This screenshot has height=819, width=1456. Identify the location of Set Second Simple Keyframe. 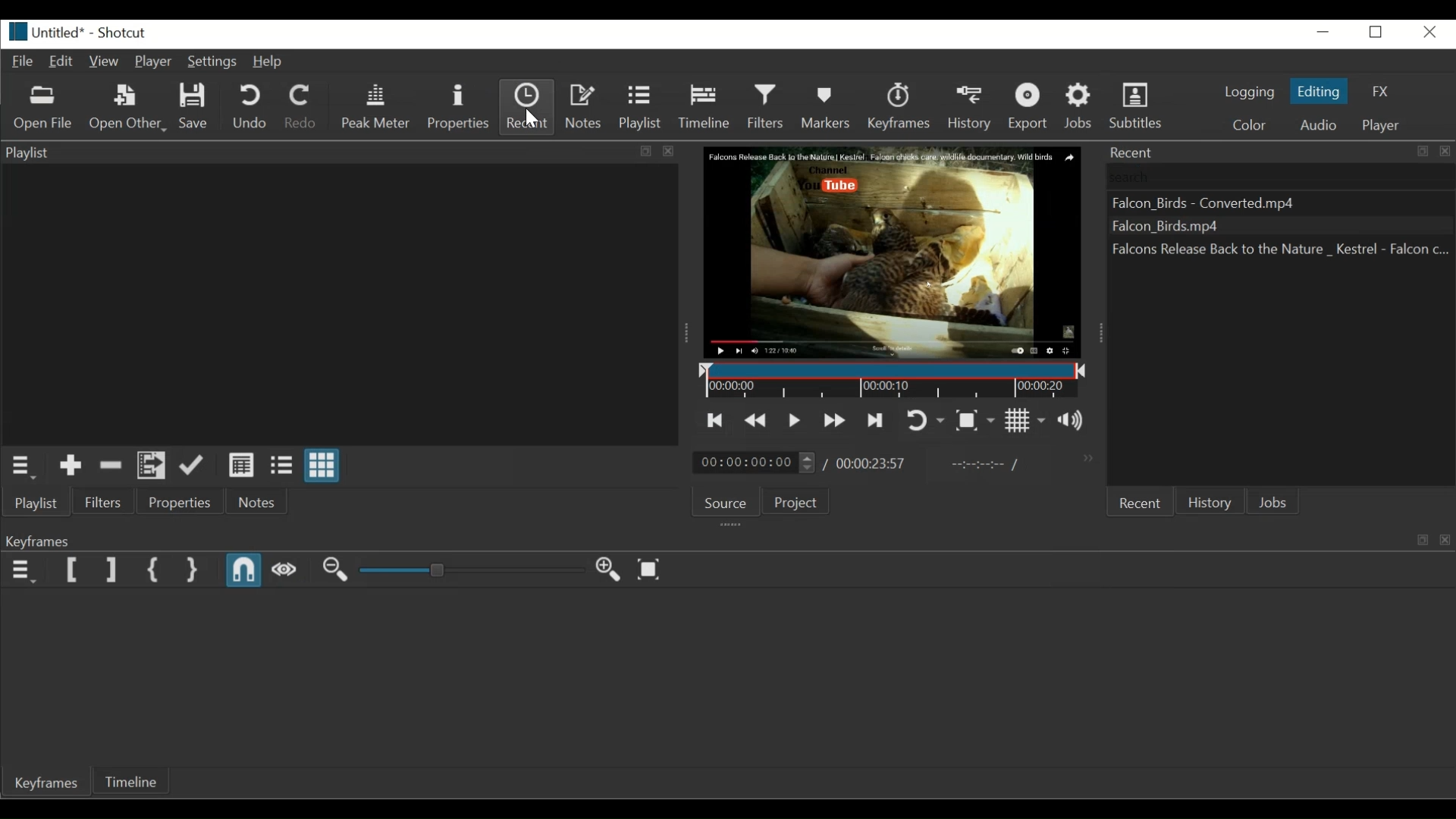
(192, 570).